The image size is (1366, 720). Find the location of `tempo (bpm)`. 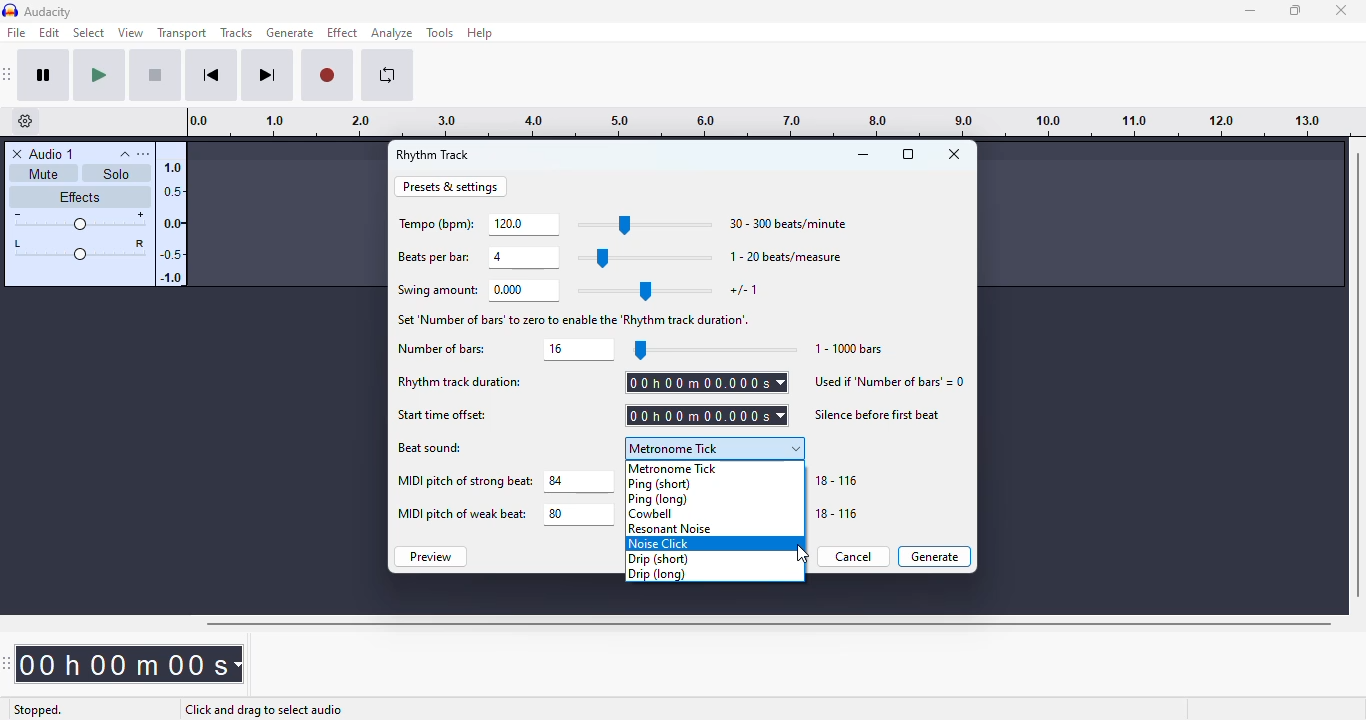

tempo (bpm) is located at coordinates (437, 225).